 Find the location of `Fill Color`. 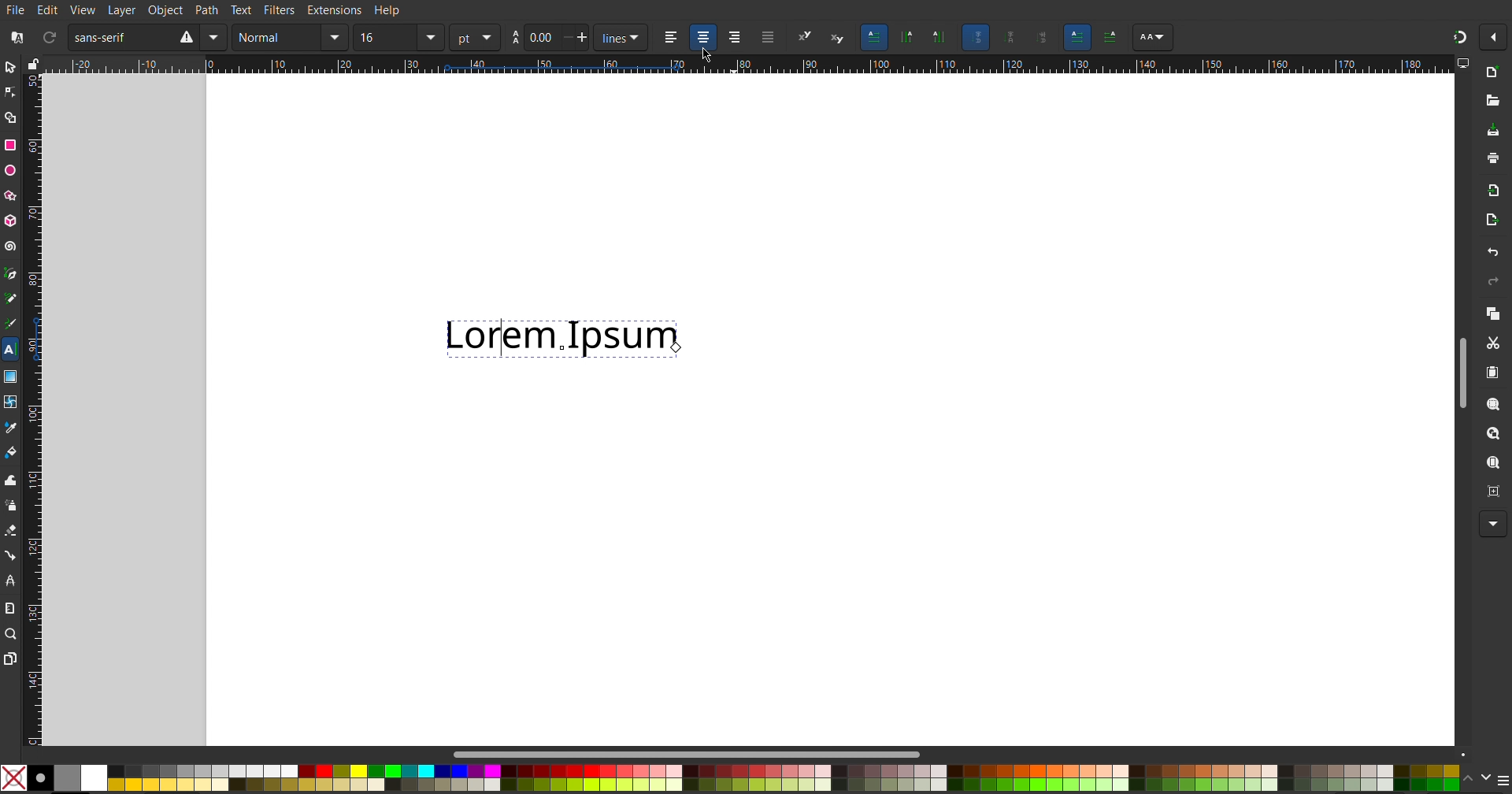

Fill Color is located at coordinates (13, 452).